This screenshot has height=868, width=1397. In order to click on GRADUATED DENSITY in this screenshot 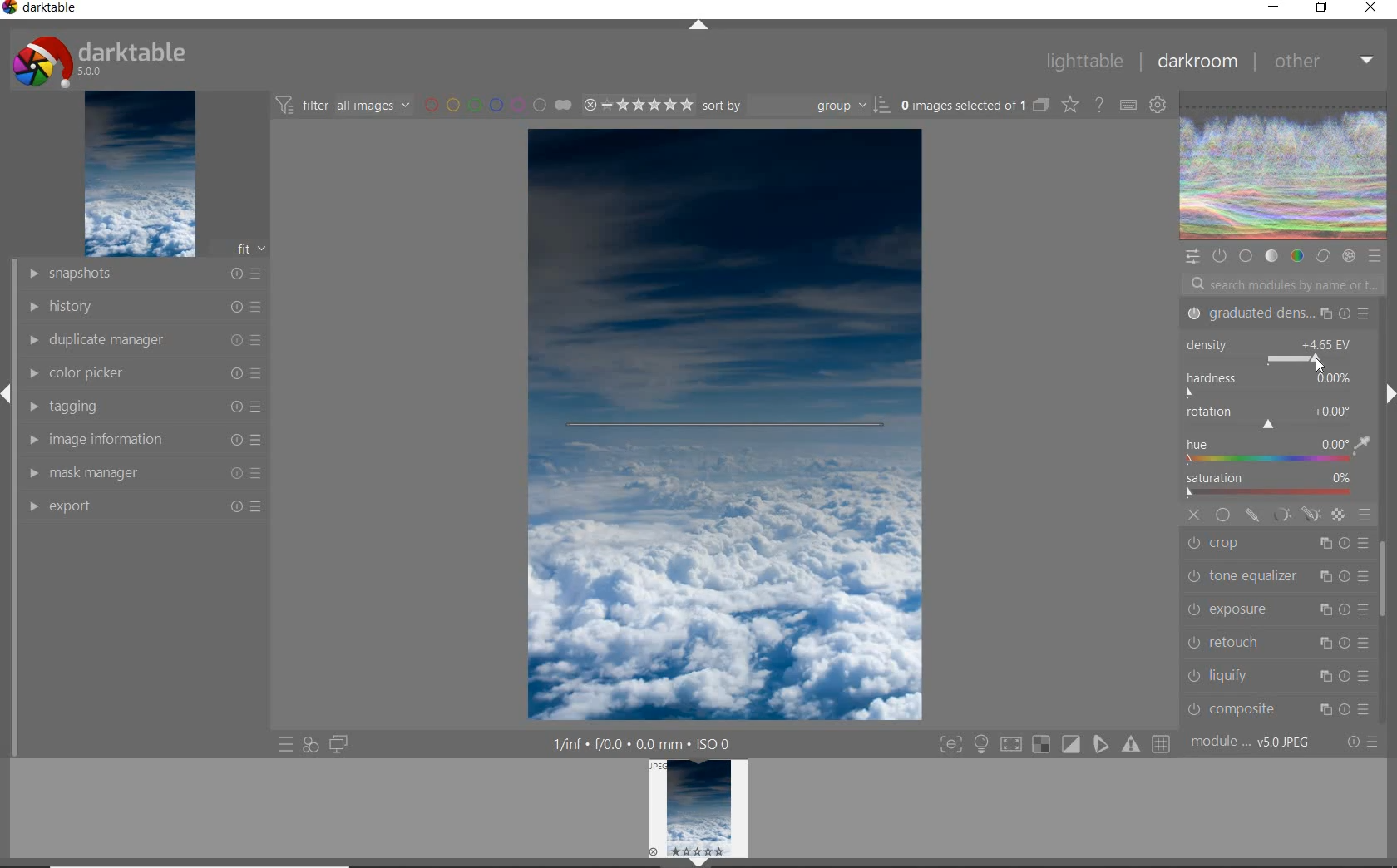, I will do `click(1281, 315)`.